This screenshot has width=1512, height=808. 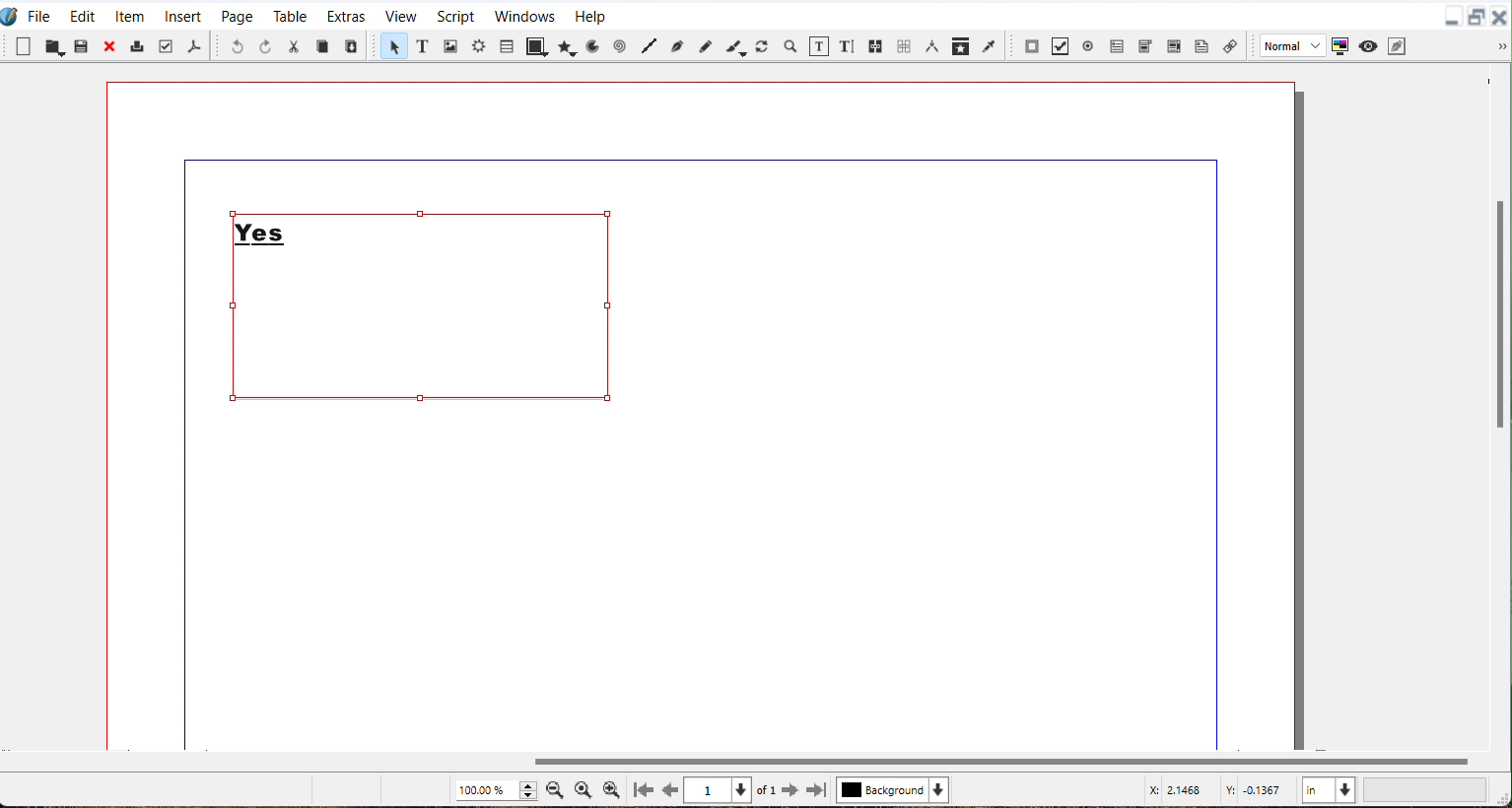 I want to click on Go to last page, so click(x=817, y=790).